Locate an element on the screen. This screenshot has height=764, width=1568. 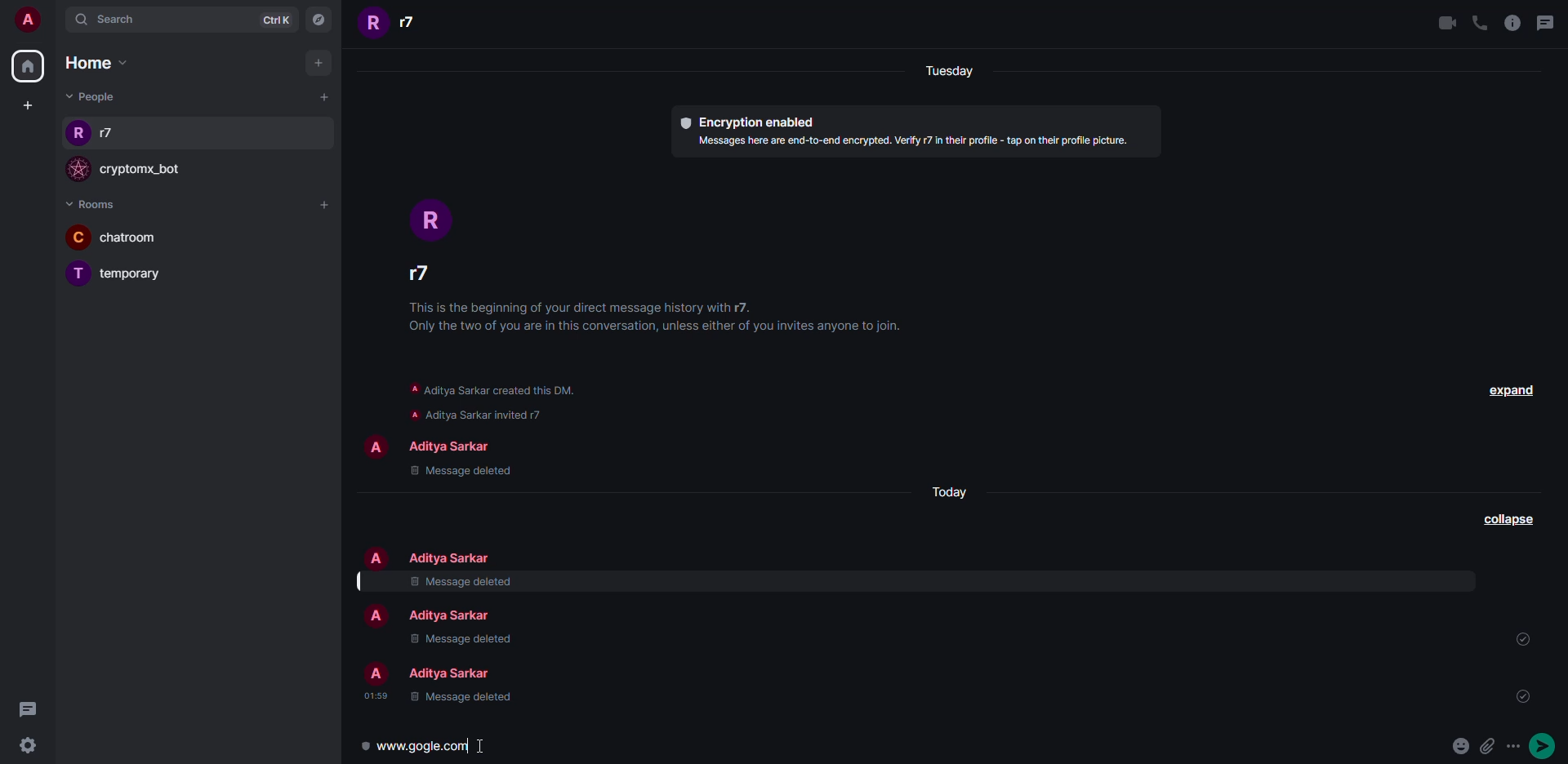
rooms is located at coordinates (97, 204).